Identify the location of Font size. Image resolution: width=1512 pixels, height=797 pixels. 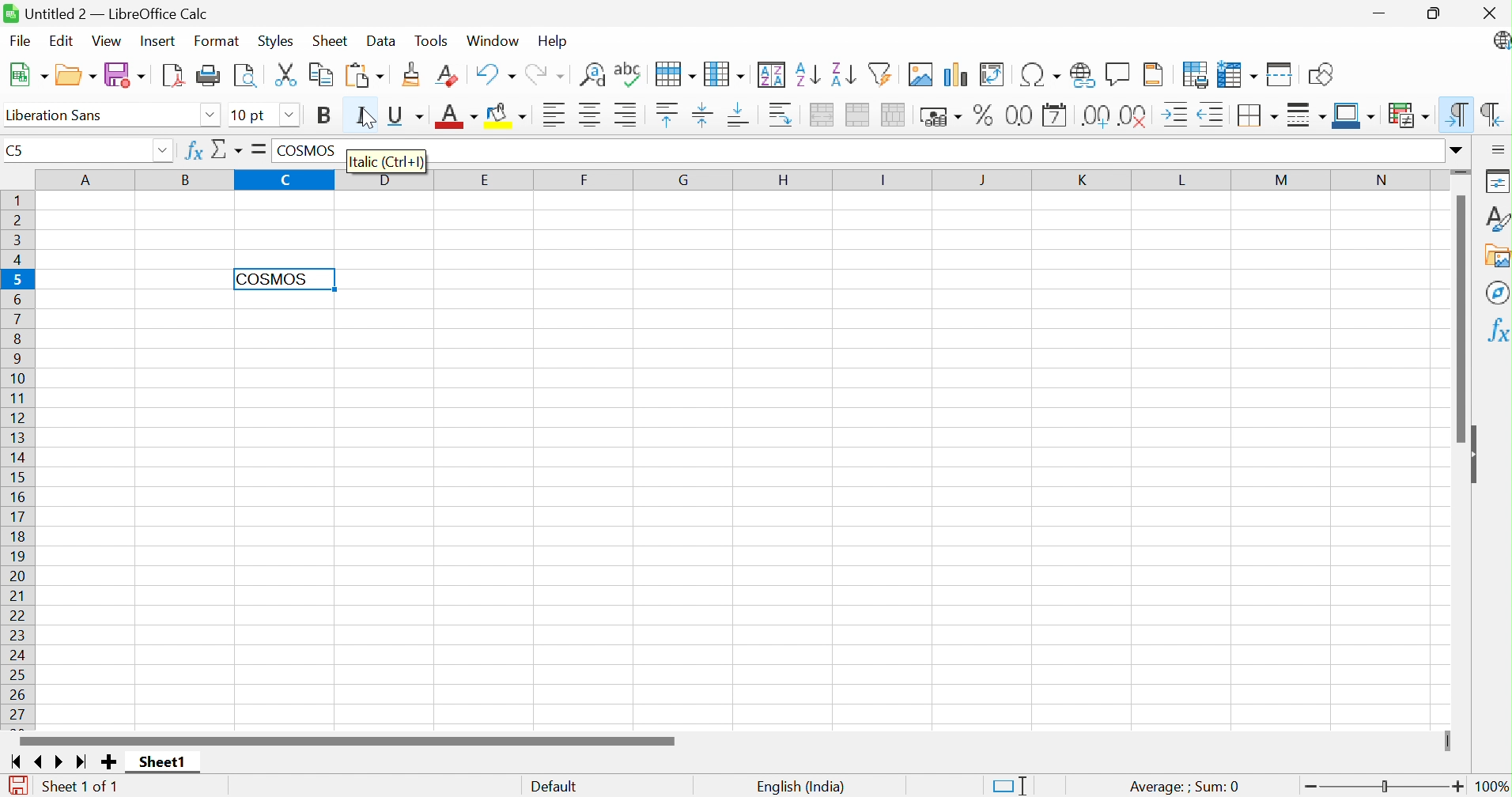
(252, 115).